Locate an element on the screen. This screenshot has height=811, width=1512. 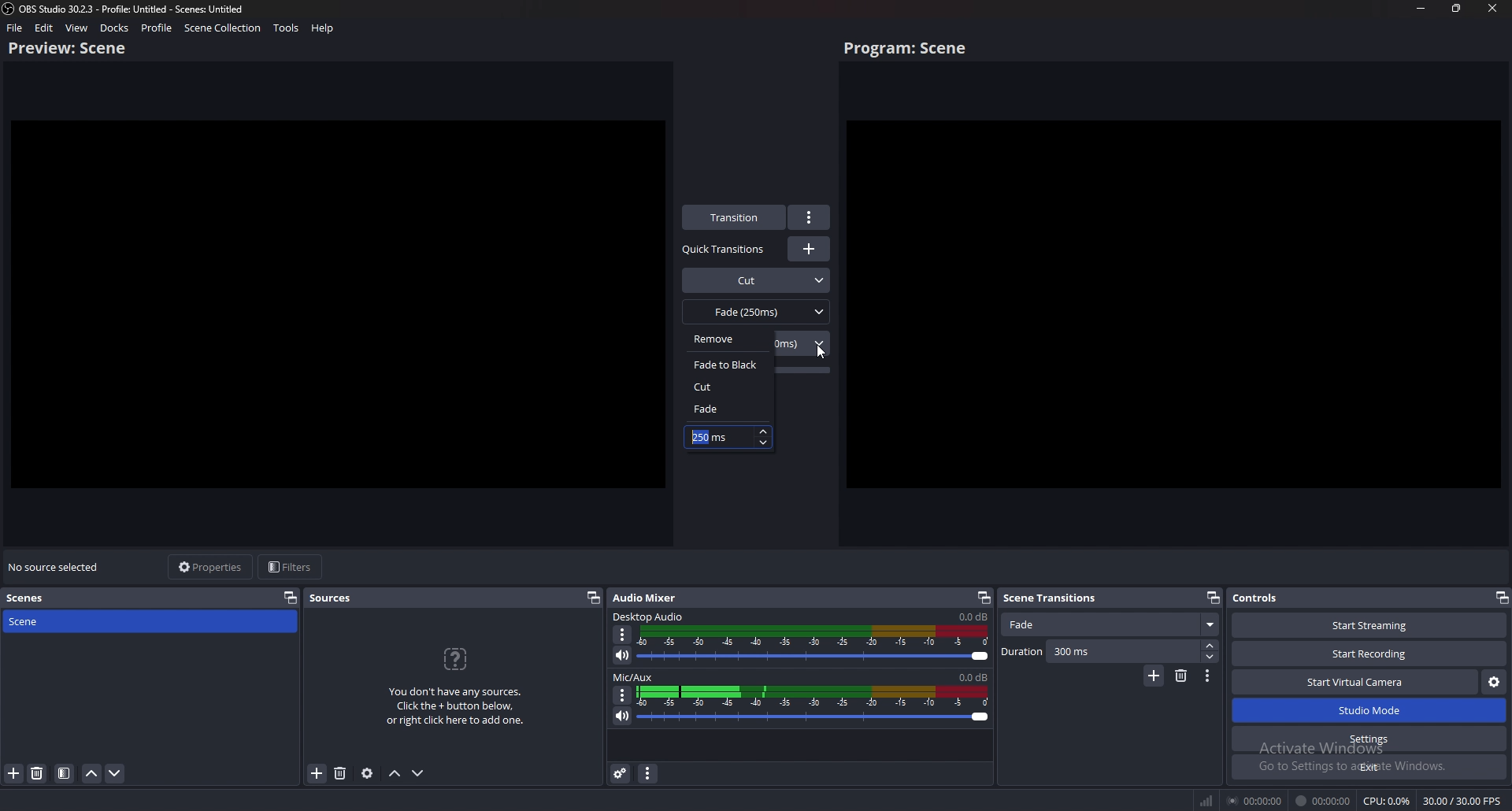
fade(250ms) is located at coordinates (757, 311).